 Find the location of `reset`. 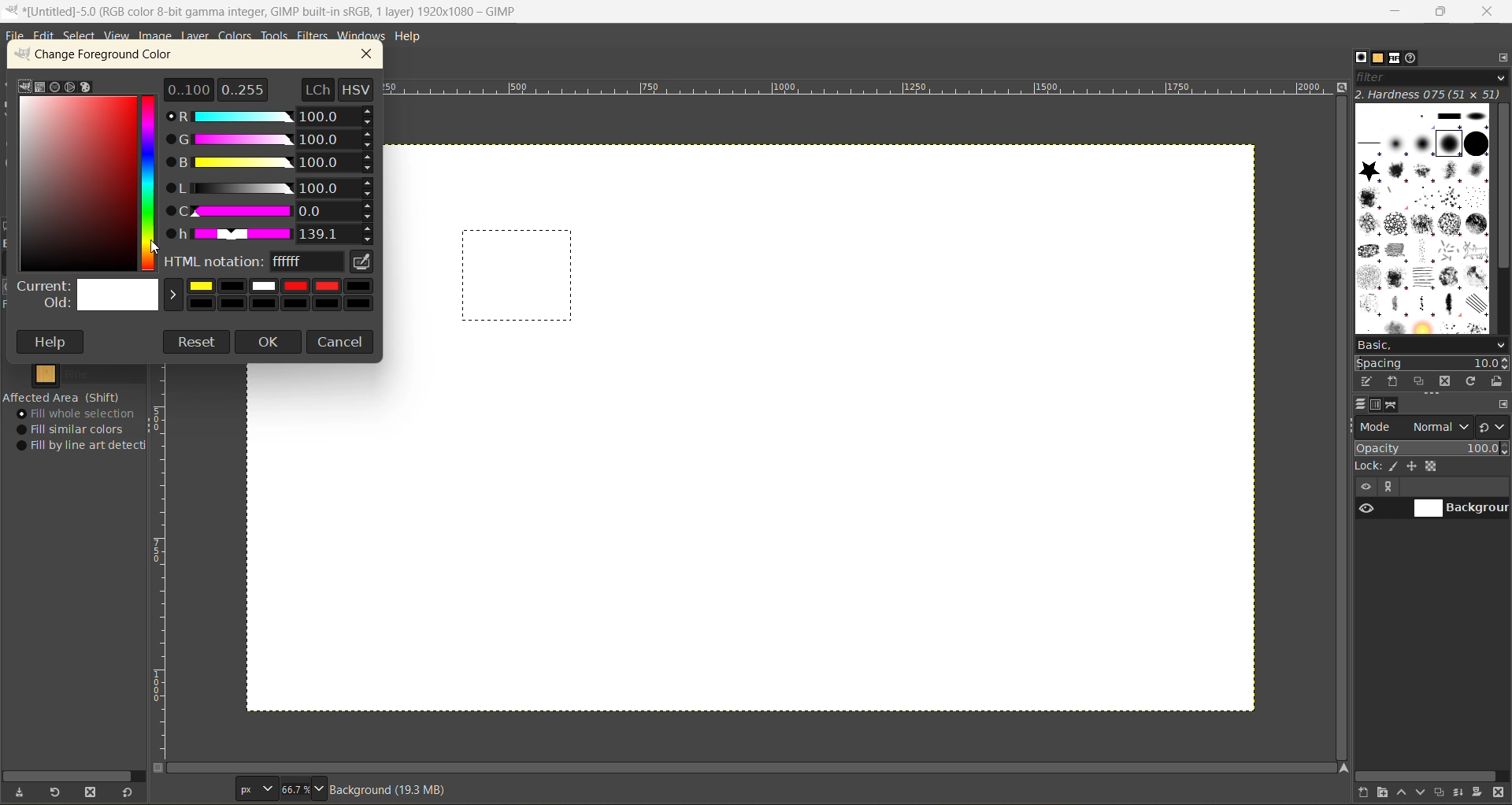

reset is located at coordinates (197, 342).